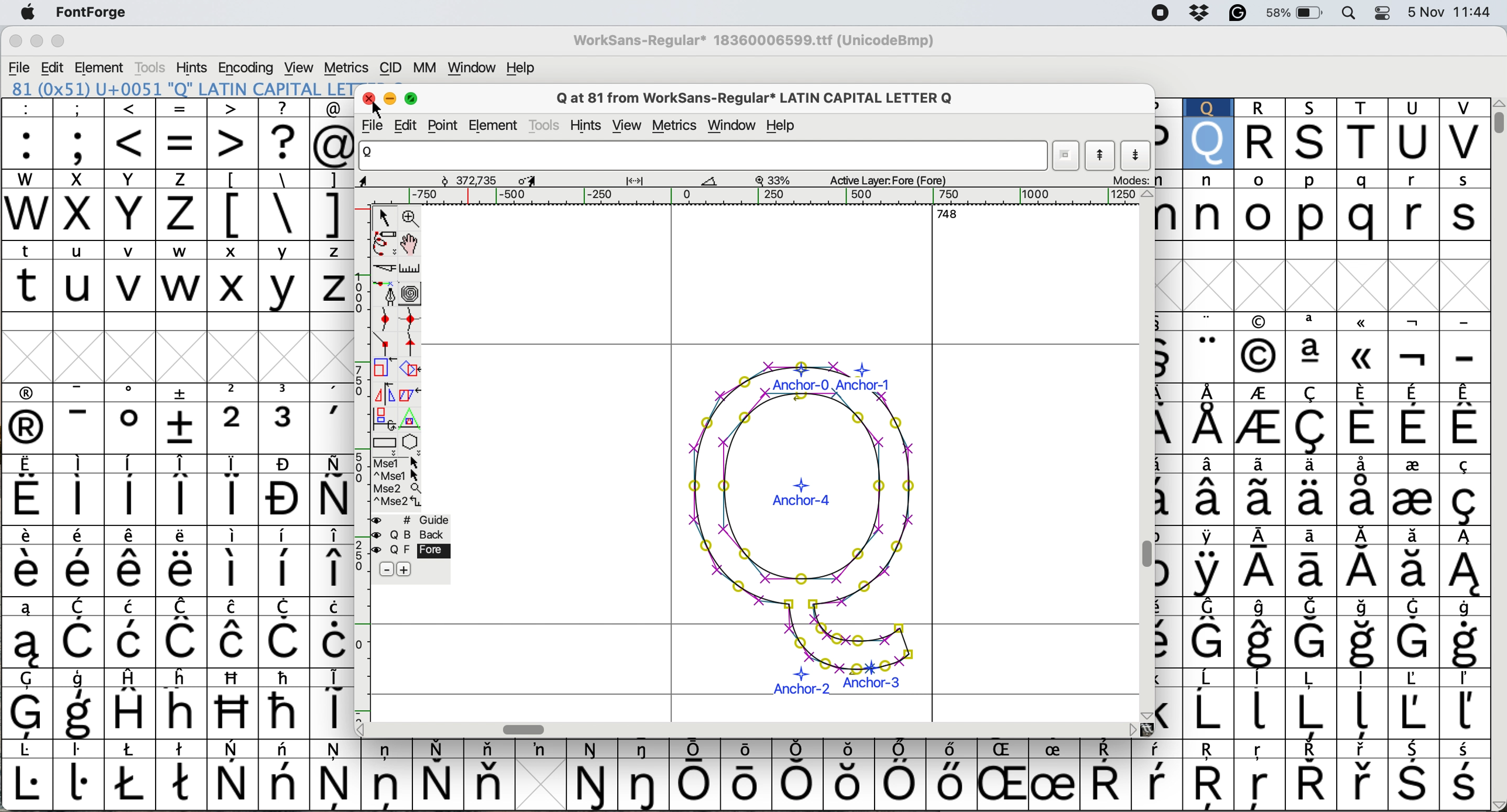 The image size is (1507, 812). Describe the element at coordinates (591, 123) in the screenshot. I see `hints` at that location.